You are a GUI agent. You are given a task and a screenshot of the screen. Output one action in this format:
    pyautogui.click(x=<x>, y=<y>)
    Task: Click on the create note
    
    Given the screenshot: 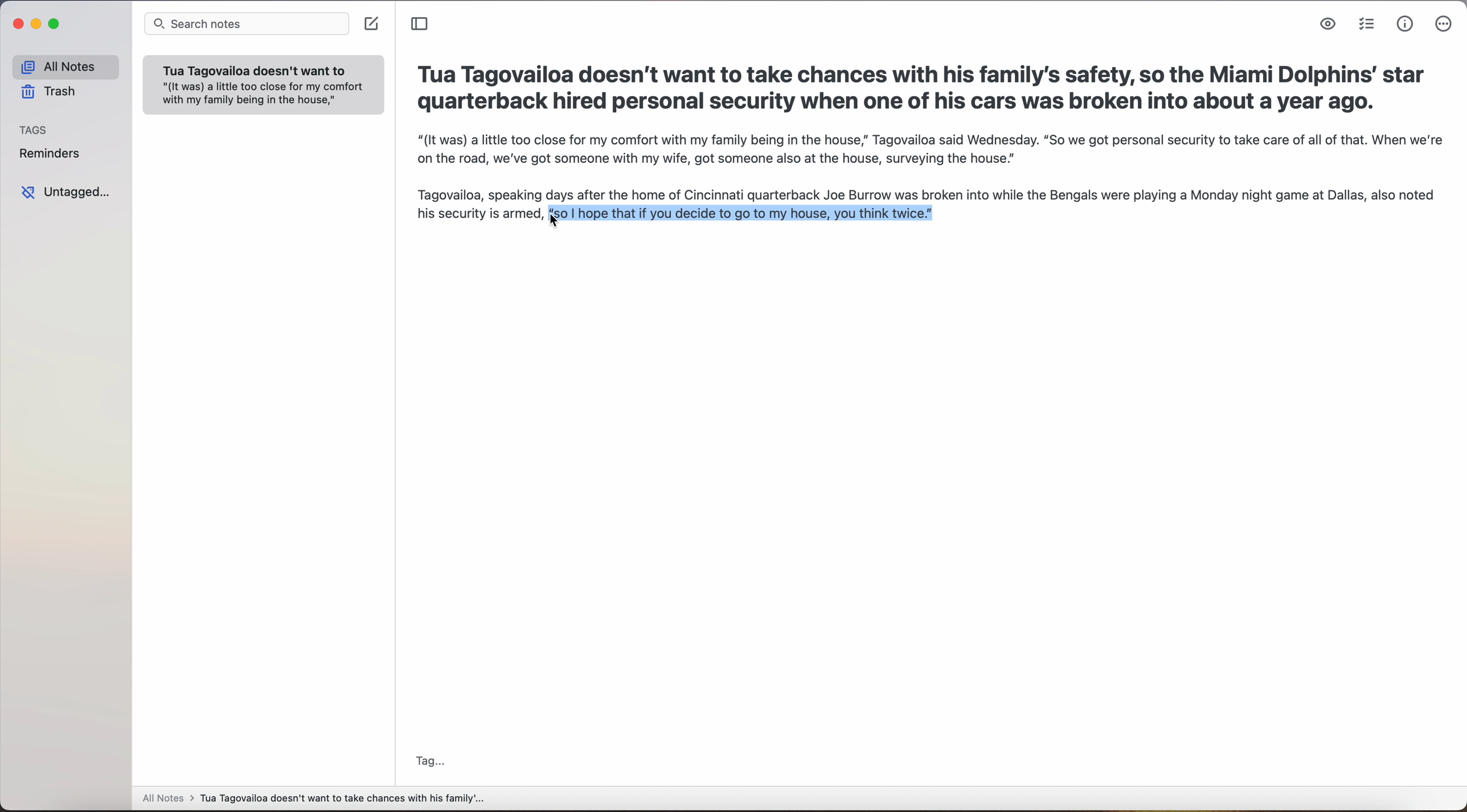 What is the action you would take?
    pyautogui.click(x=373, y=26)
    